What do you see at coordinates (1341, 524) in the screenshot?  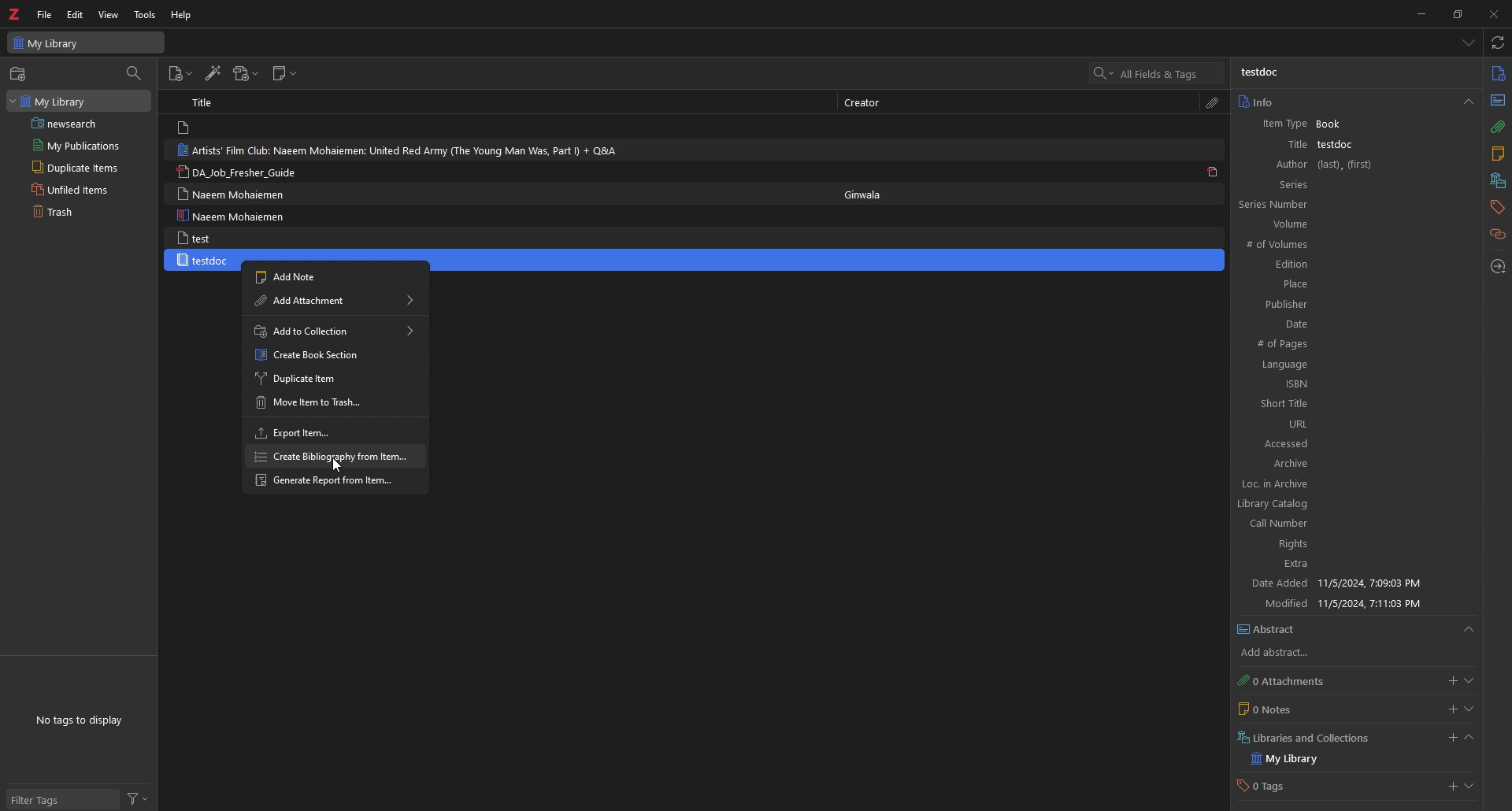 I see `Call Number` at bounding box center [1341, 524].